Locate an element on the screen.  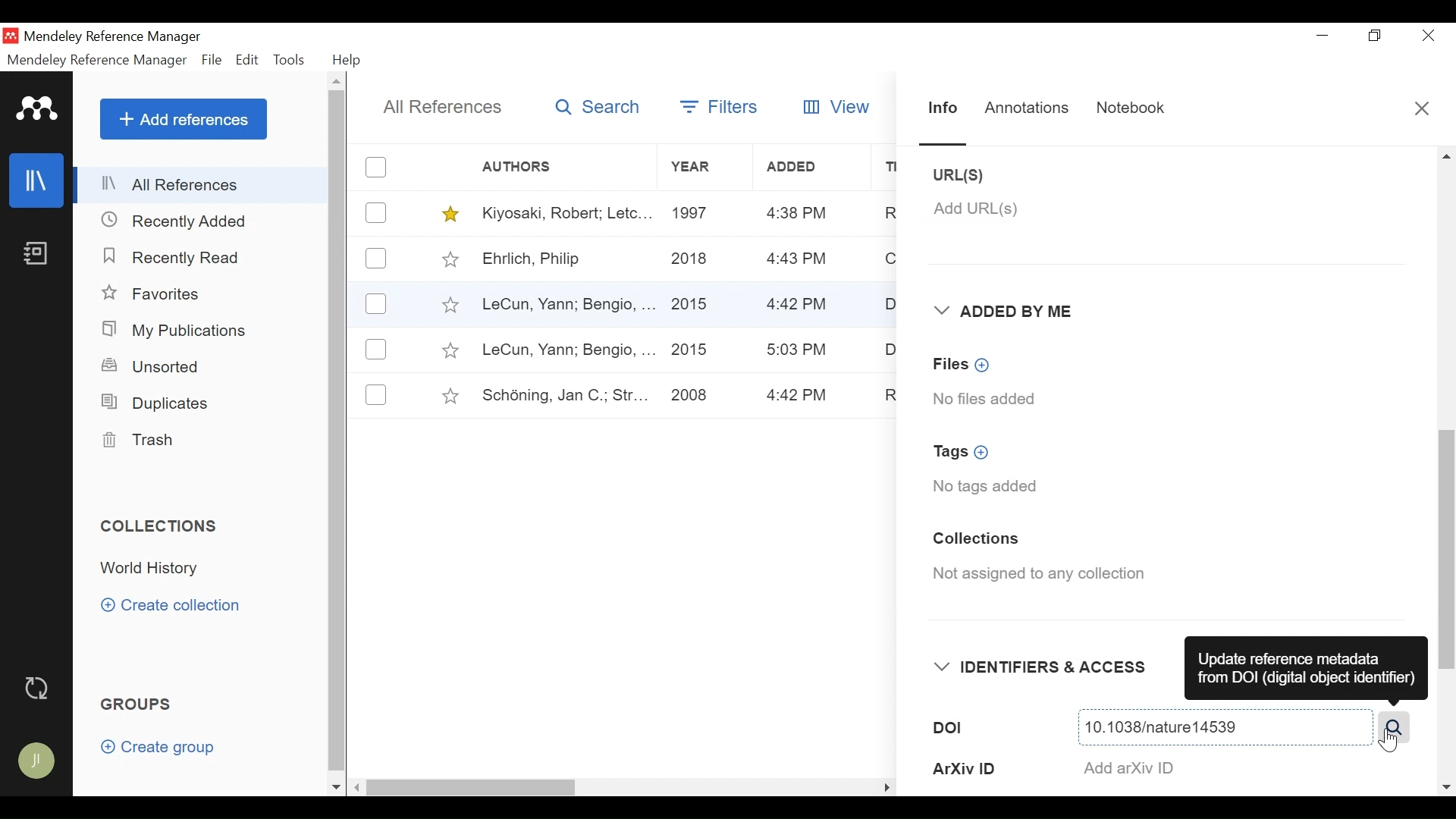
Notebook is located at coordinates (1125, 109).